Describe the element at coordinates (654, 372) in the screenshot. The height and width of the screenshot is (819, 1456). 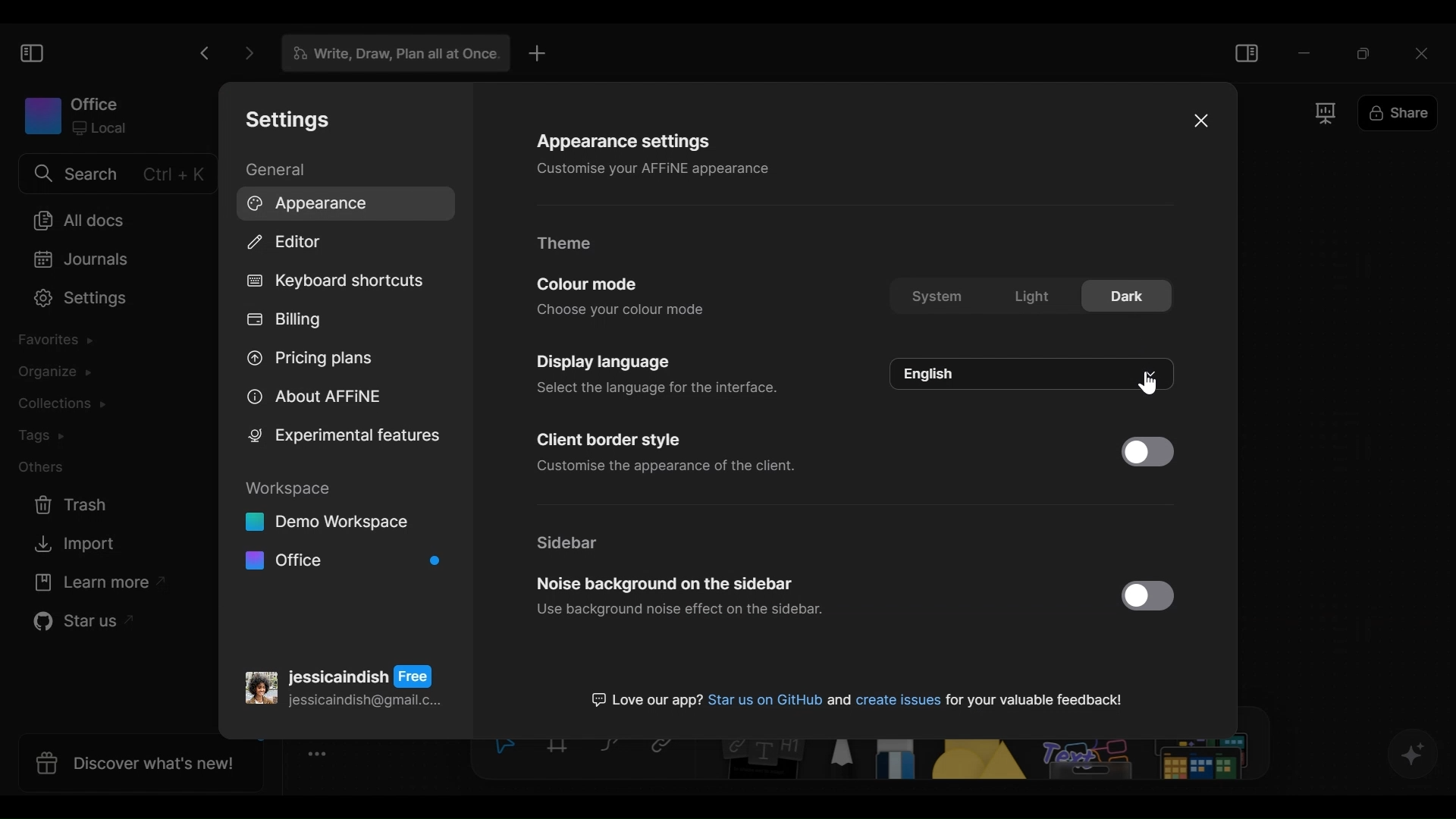
I see `Display settings` at that location.